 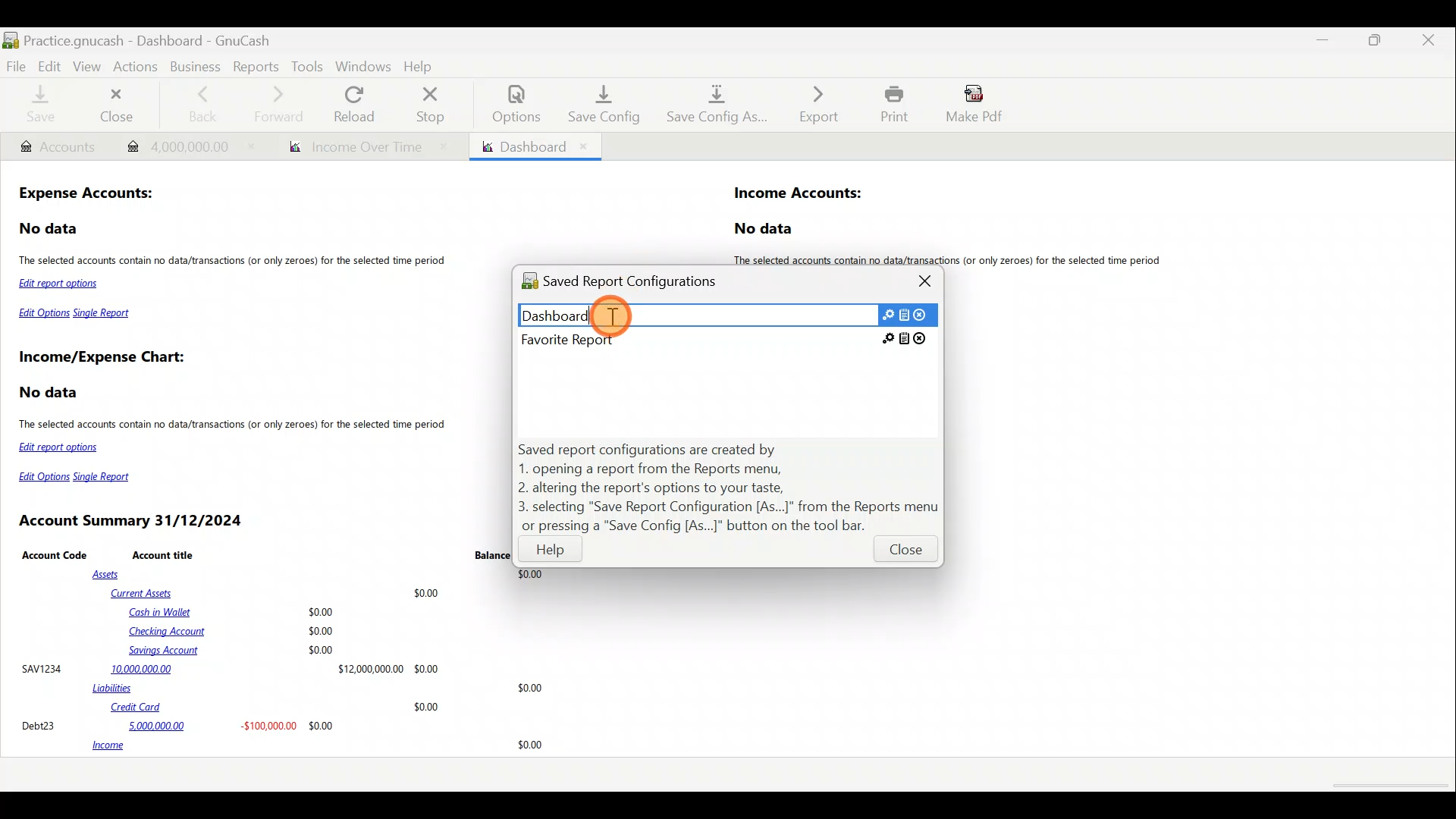 What do you see at coordinates (954, 260) in the screenshot?
I see `The selected accounts contain no data/transactions (or only zeroes) for the selected time period` at bounding box center [954, 260].